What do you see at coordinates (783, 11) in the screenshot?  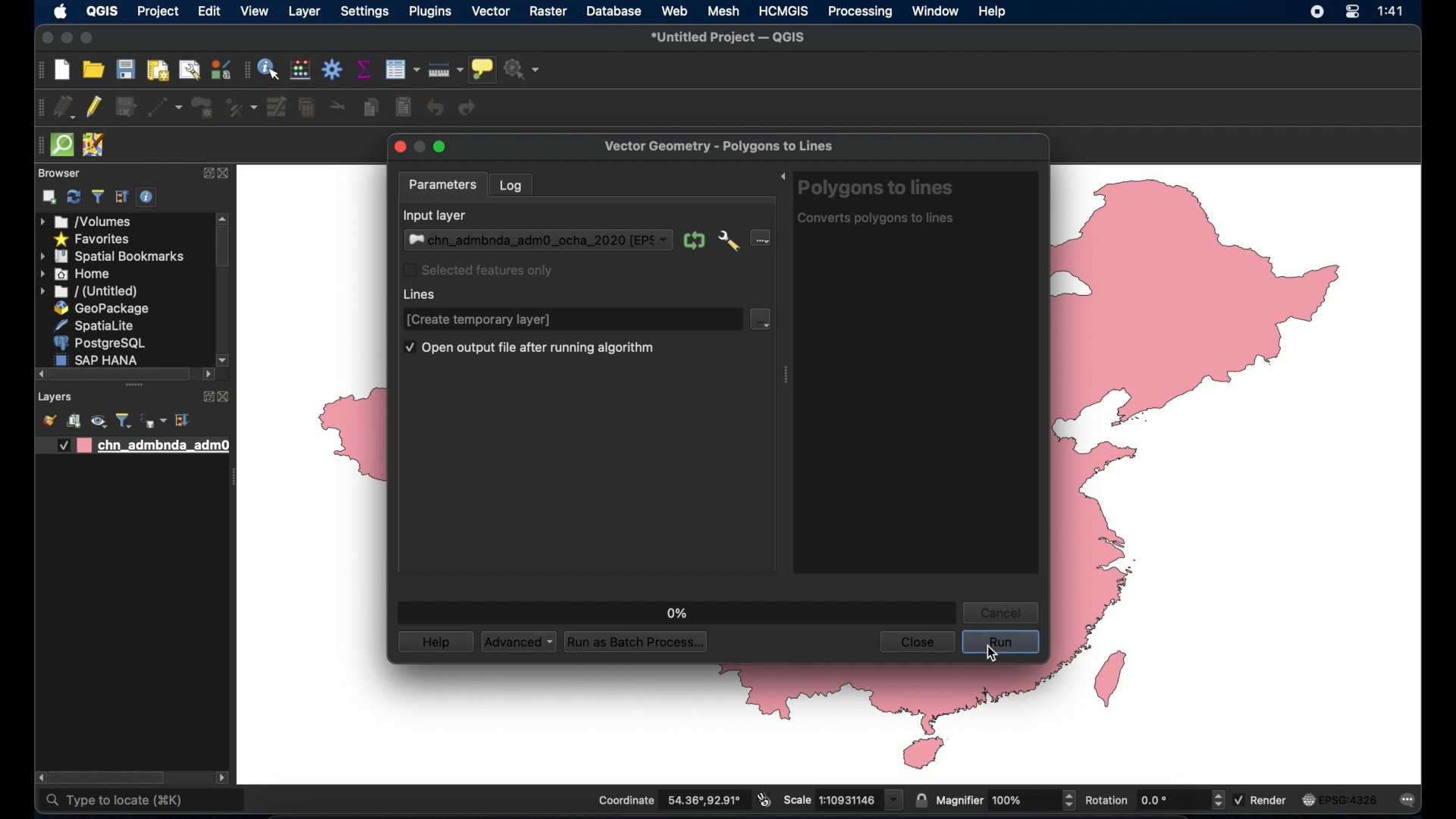 I see `HCMGIS` at bounding box center [783, 11].